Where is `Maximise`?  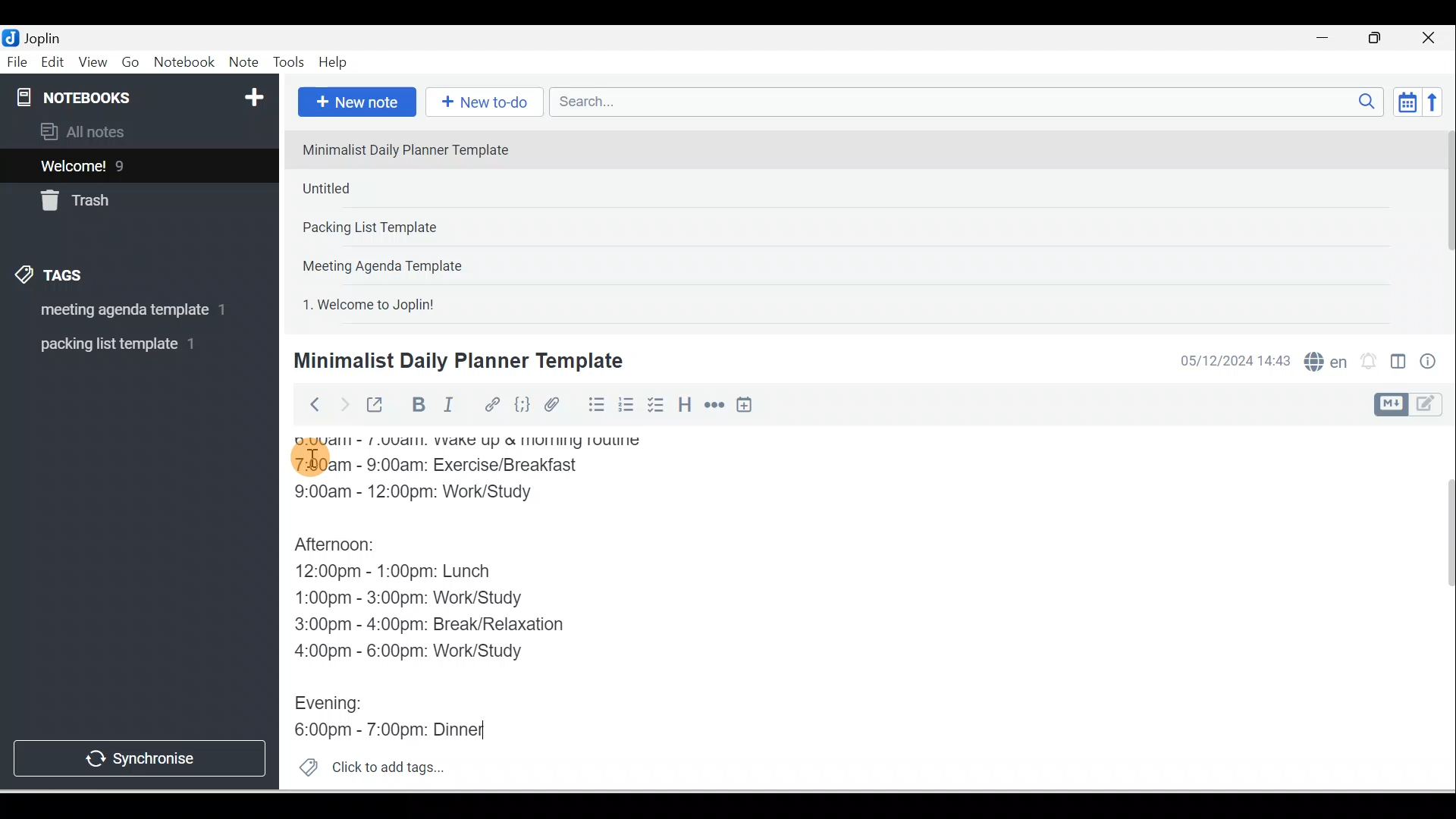 Maximise is located at coordinates (1380, 39).